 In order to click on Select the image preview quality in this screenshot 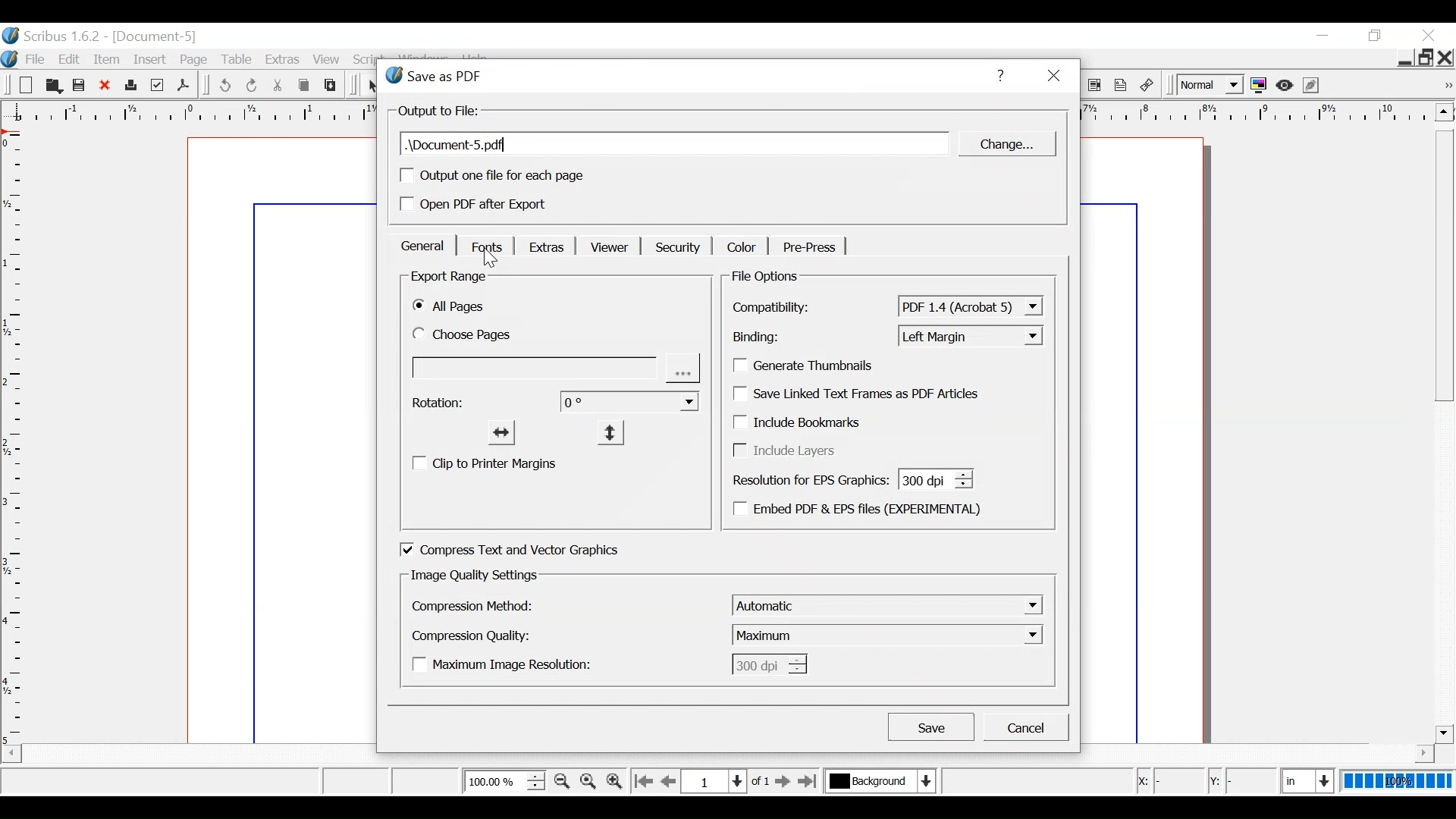, I will do `click(1208, 86)`.